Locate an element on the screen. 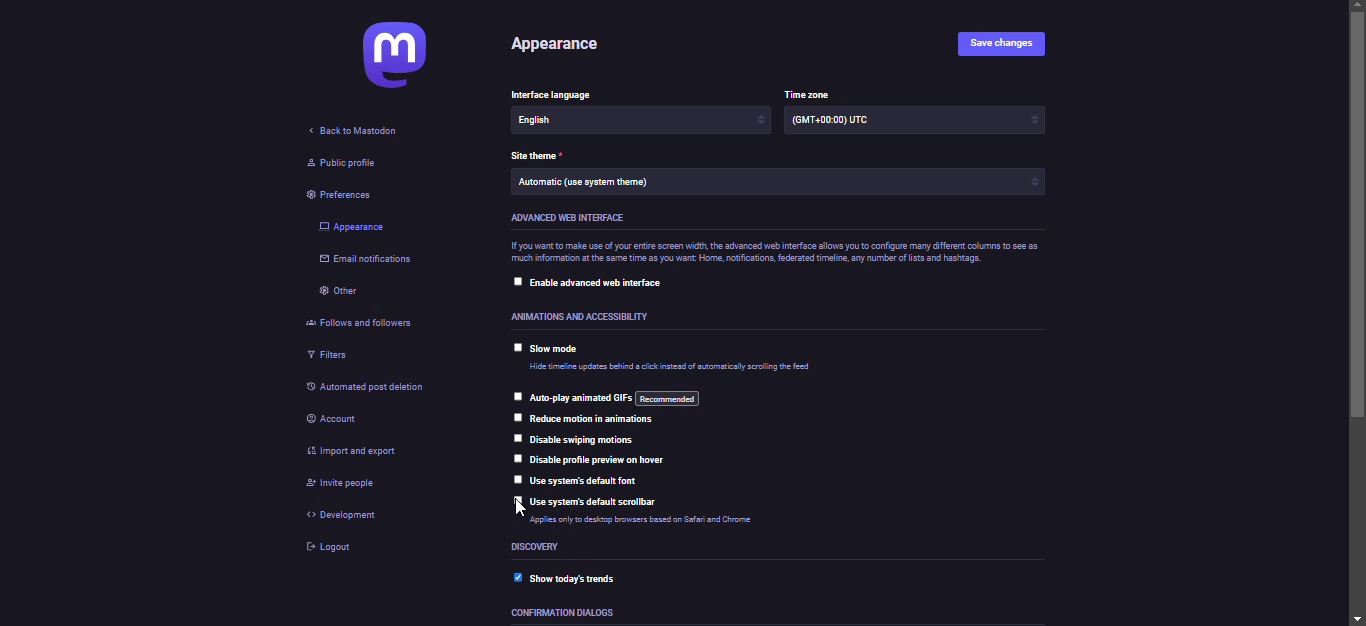  cursor is located at coordinates (518, 512).